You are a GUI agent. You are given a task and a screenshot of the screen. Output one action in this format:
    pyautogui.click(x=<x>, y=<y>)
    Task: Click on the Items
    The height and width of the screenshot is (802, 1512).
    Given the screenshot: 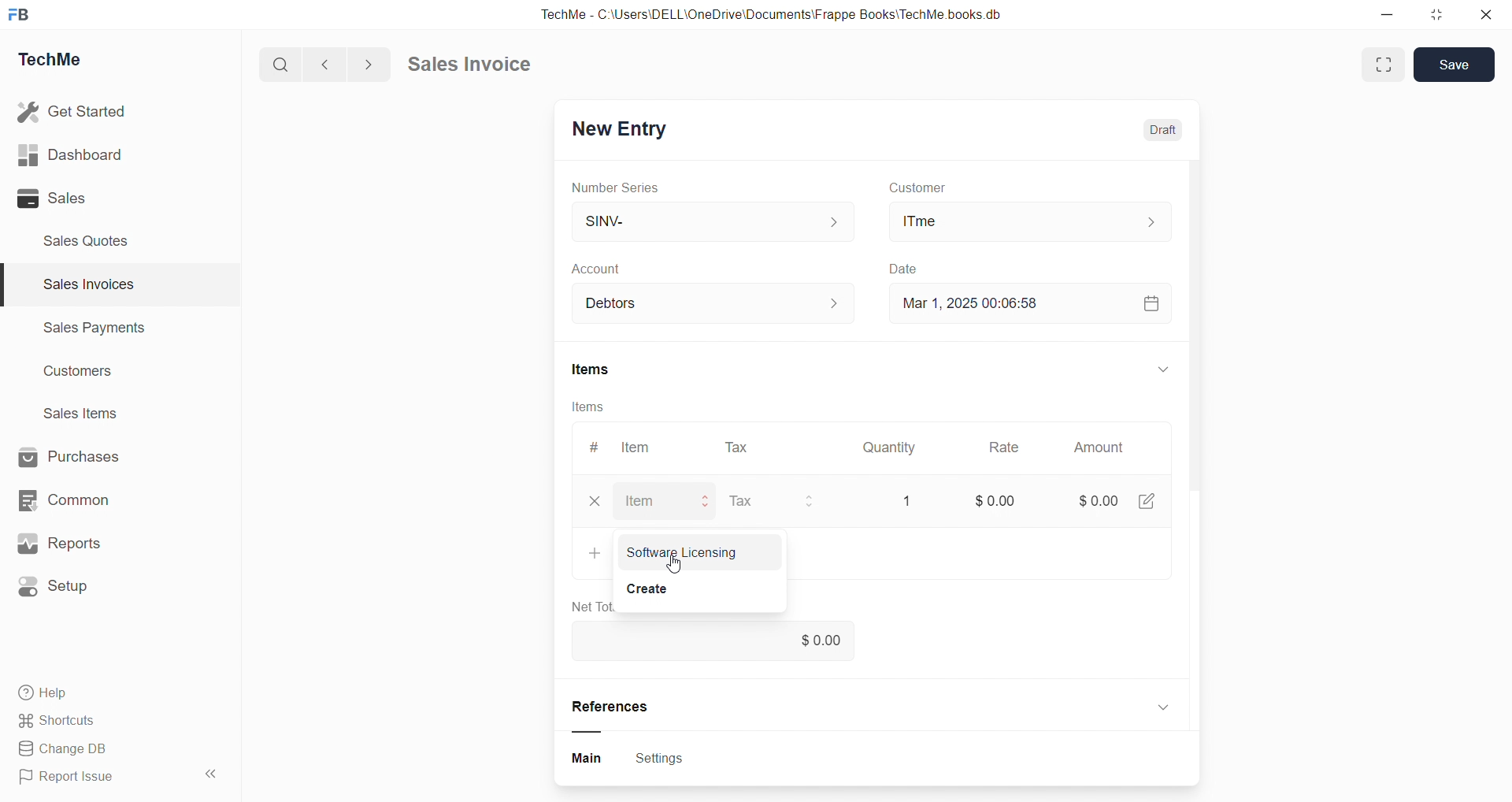 What is the action you would take?
    pyautogui.click(x=590, y=407)
    